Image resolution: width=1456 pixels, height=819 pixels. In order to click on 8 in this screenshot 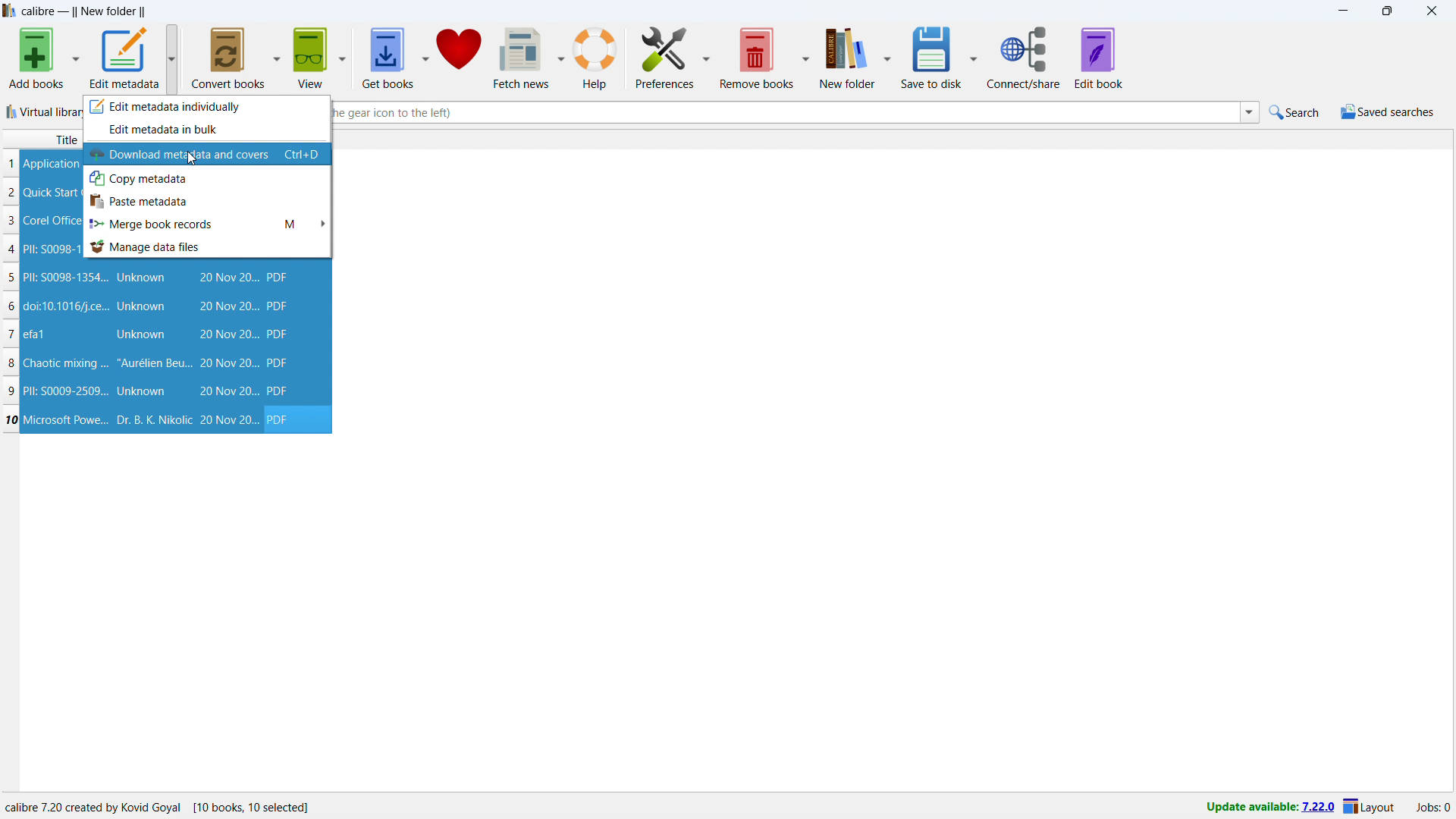, I will do `click(11, 363)`.